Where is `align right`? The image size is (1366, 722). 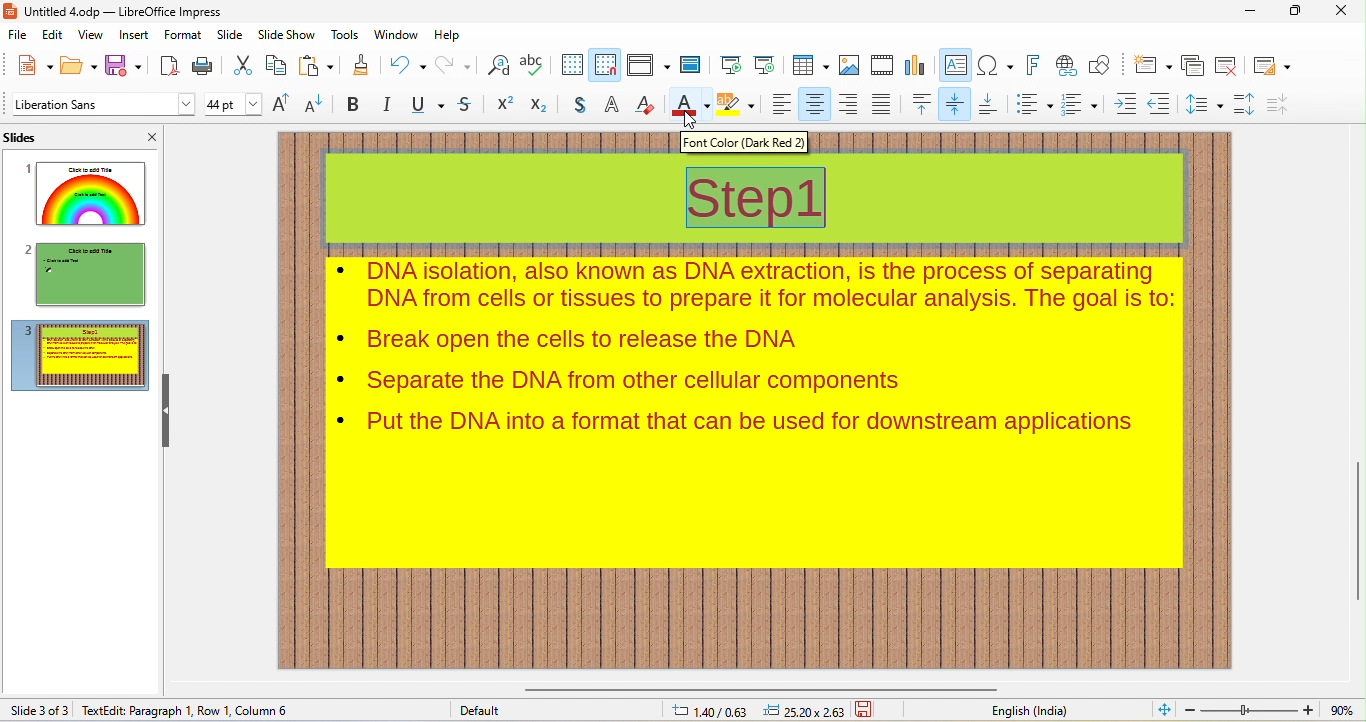 align right is located at coordinates (848, 104).